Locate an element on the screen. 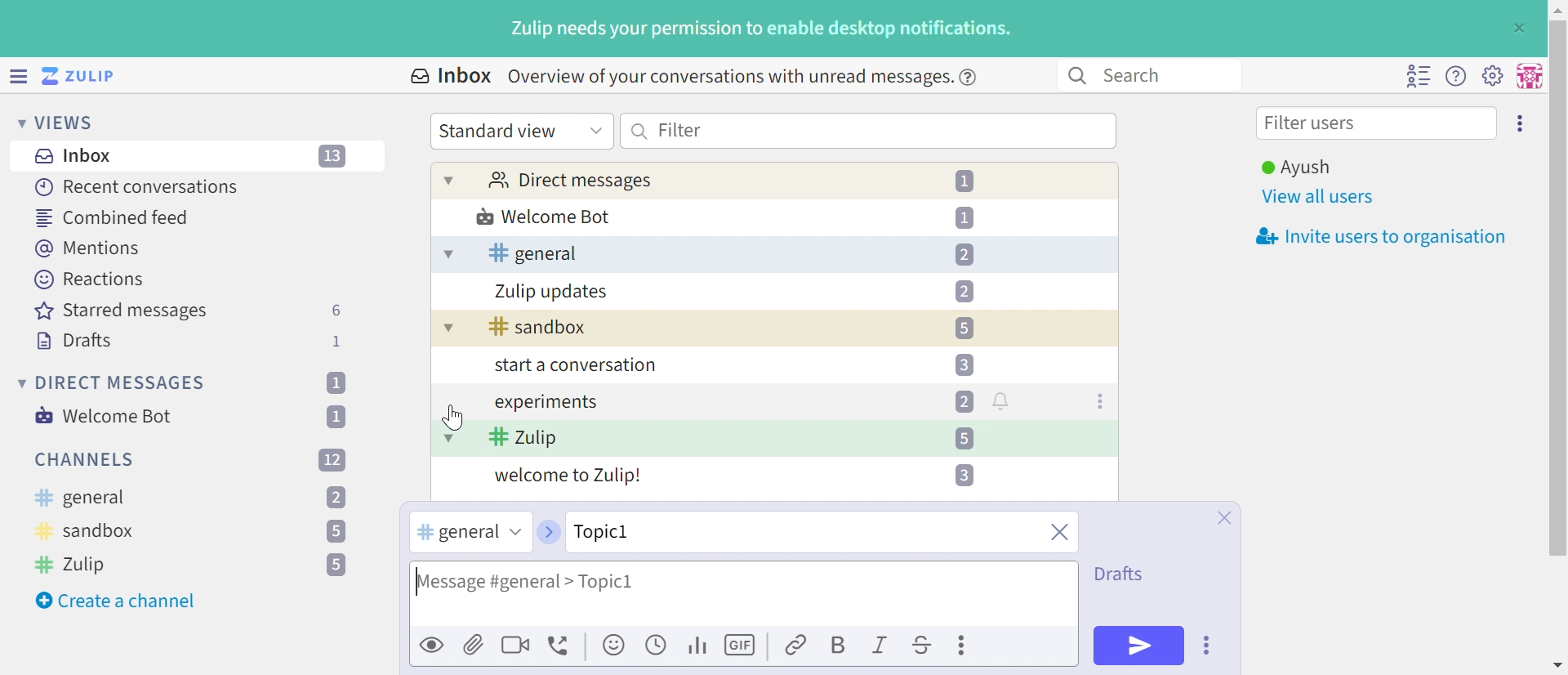  Drop Down is located at coordinates (449, 180).